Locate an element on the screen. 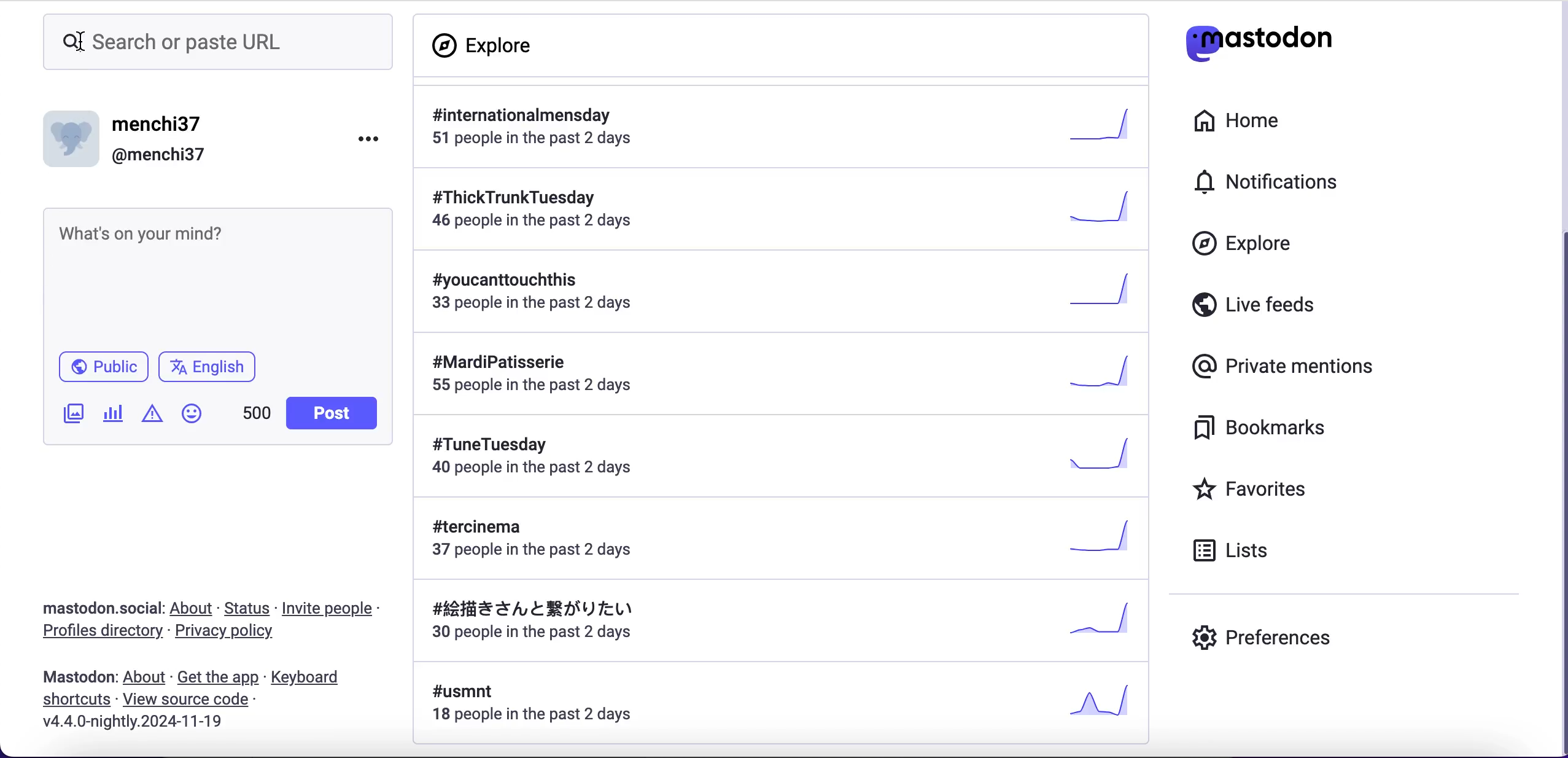 The height and width of the screenshot is (758, 1568). Chinese trend is located at coordinates (779, 623).